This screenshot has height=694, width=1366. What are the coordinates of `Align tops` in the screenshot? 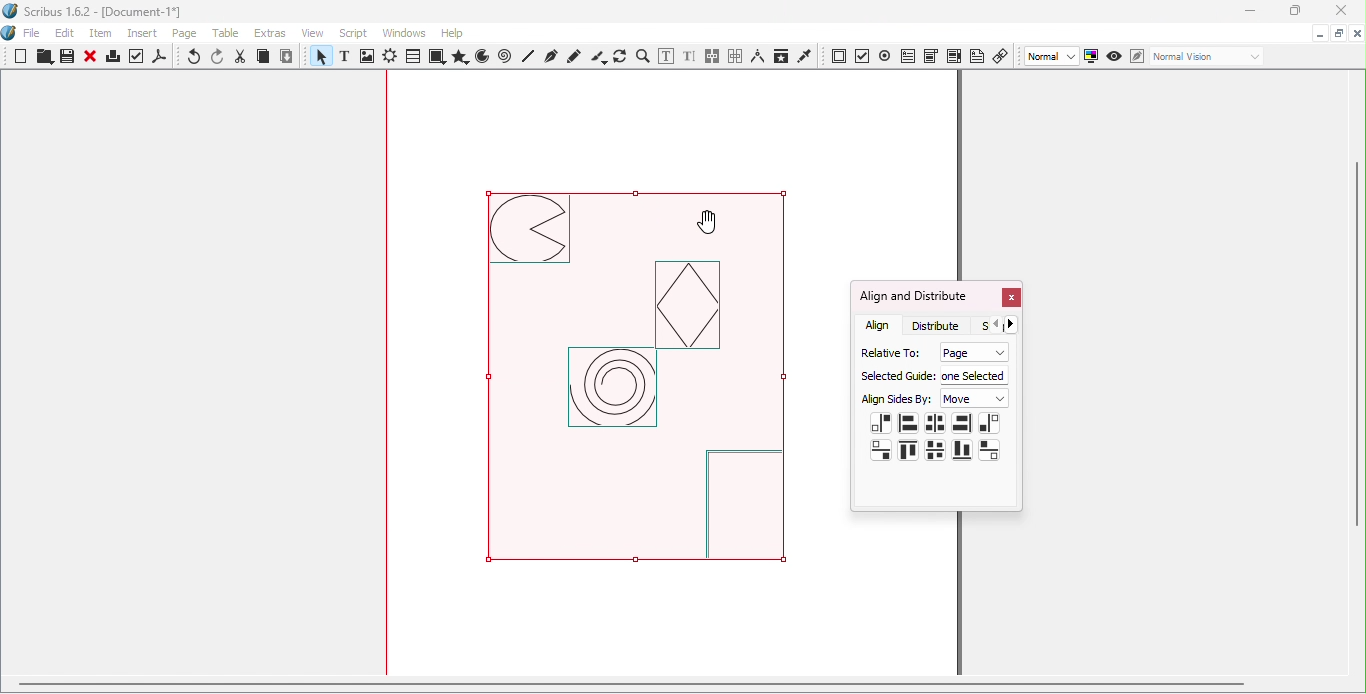 It's located at (908, 452).